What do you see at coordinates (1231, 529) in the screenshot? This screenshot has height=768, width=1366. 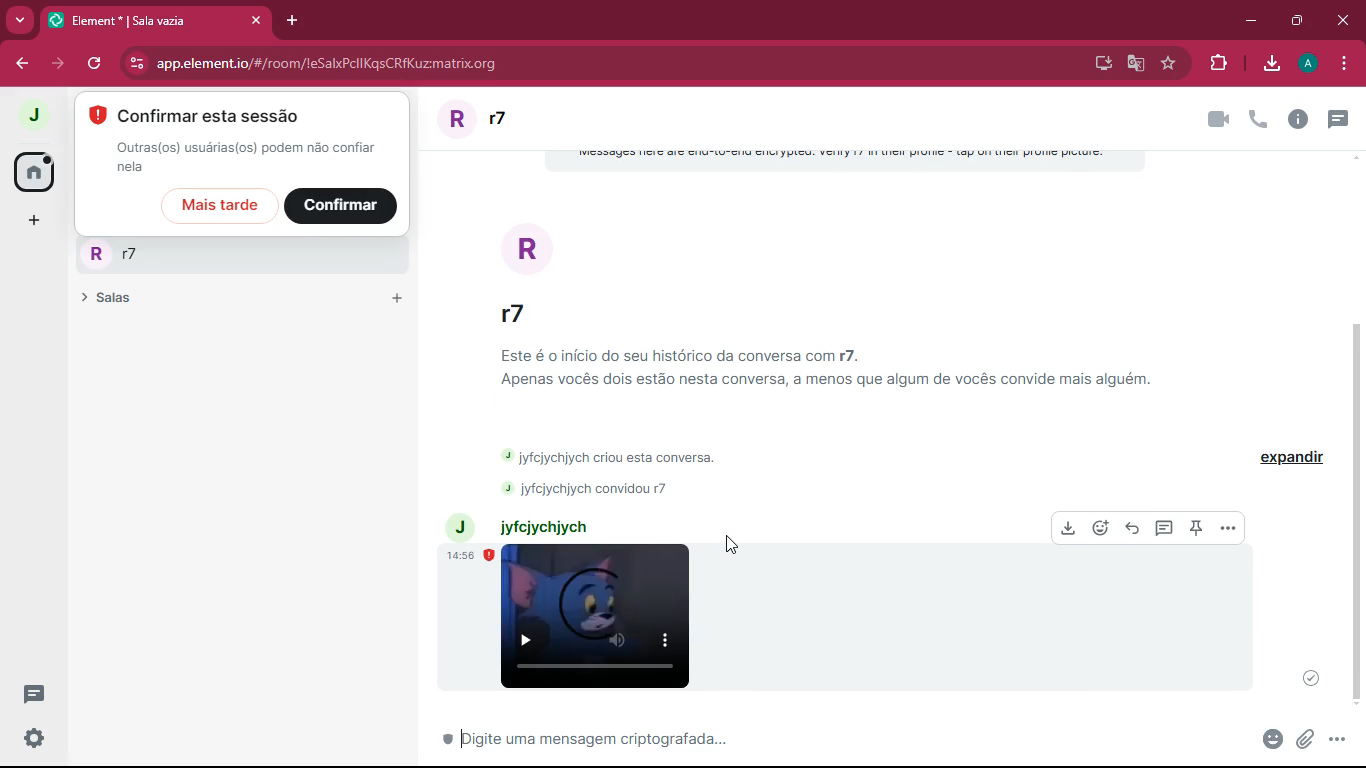 I see `more` at bounding box center [1231, 529].